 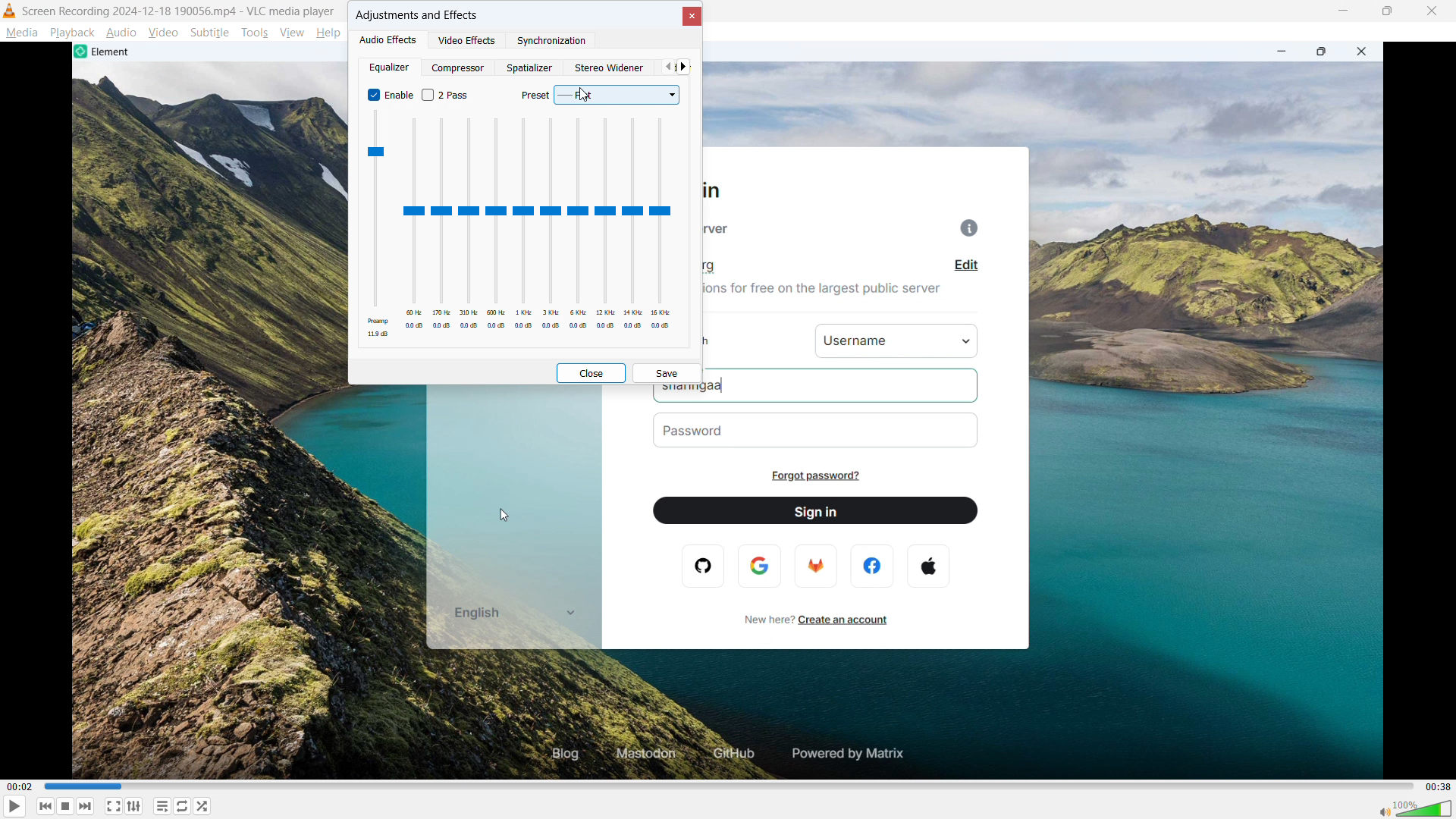 What do you see at coordinates (135, 807) in the screenshot?
I see `Show advanced settings ` at bounding box center [135, 807].